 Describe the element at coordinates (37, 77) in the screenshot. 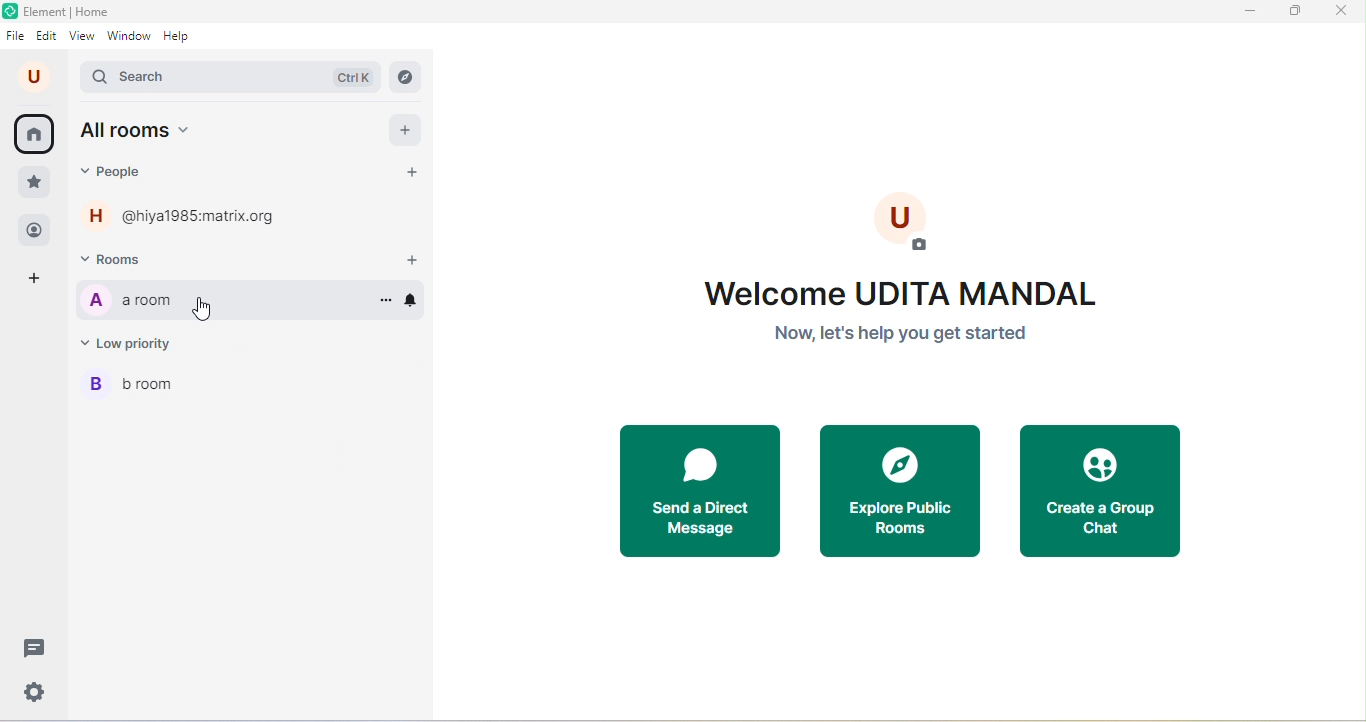

I see `account` at that location.